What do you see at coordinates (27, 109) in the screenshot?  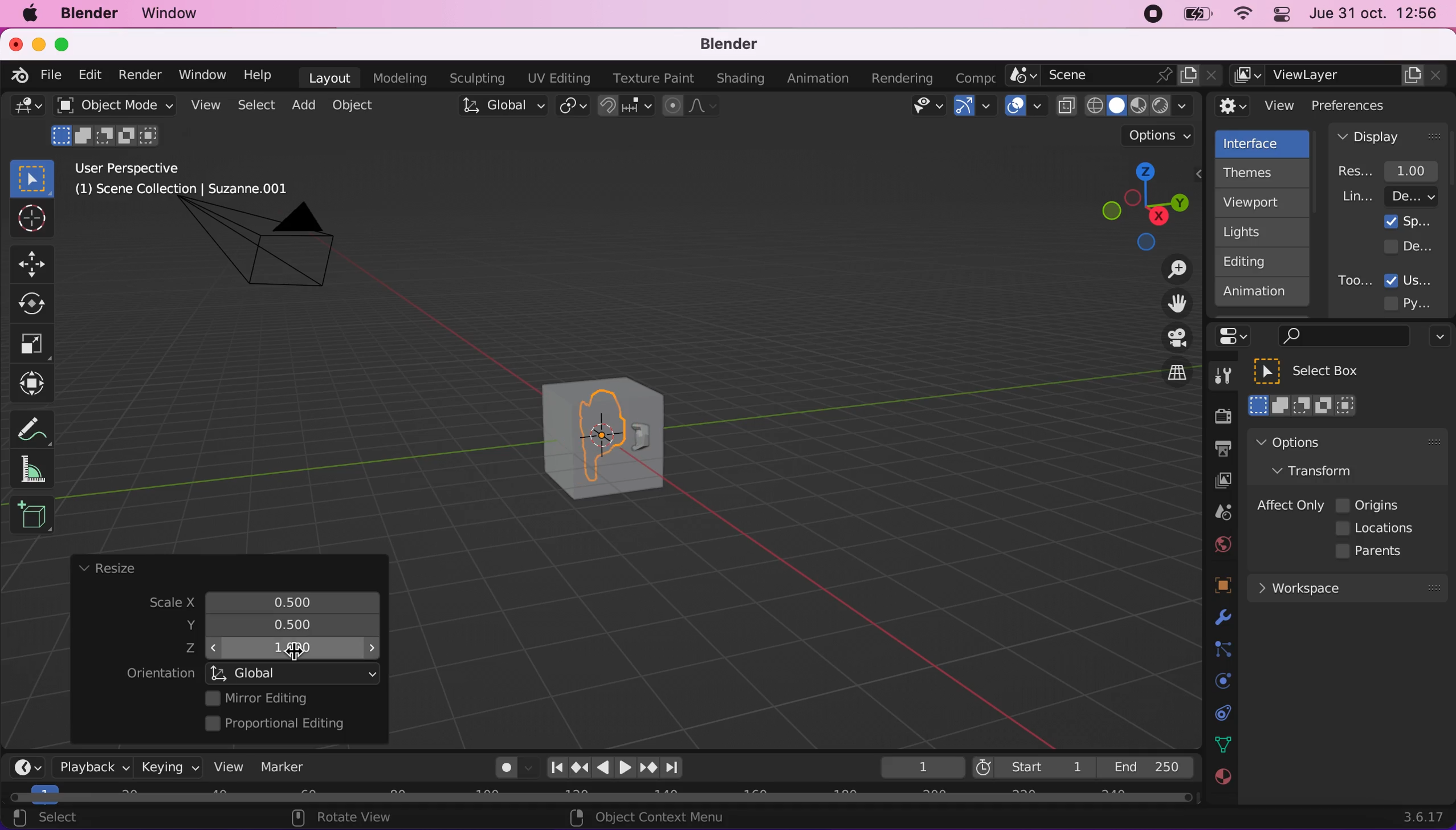 I see `general` at bounding box center [27, 109].